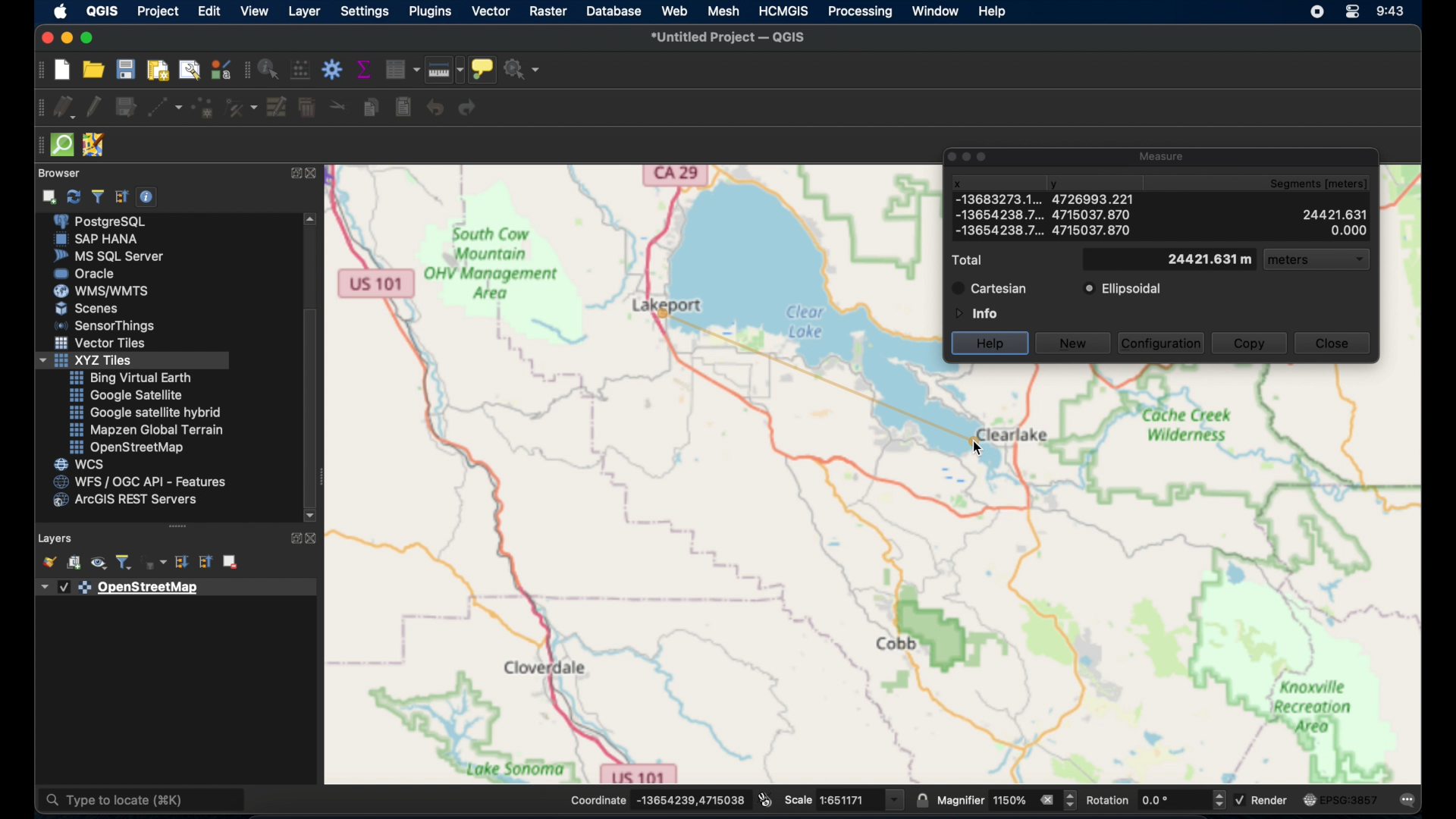 The image size is (1456, 819). What do you see at coordinates (121, 195) in the screenshot?
I see `collapse all` at bounding box center [121, 195].